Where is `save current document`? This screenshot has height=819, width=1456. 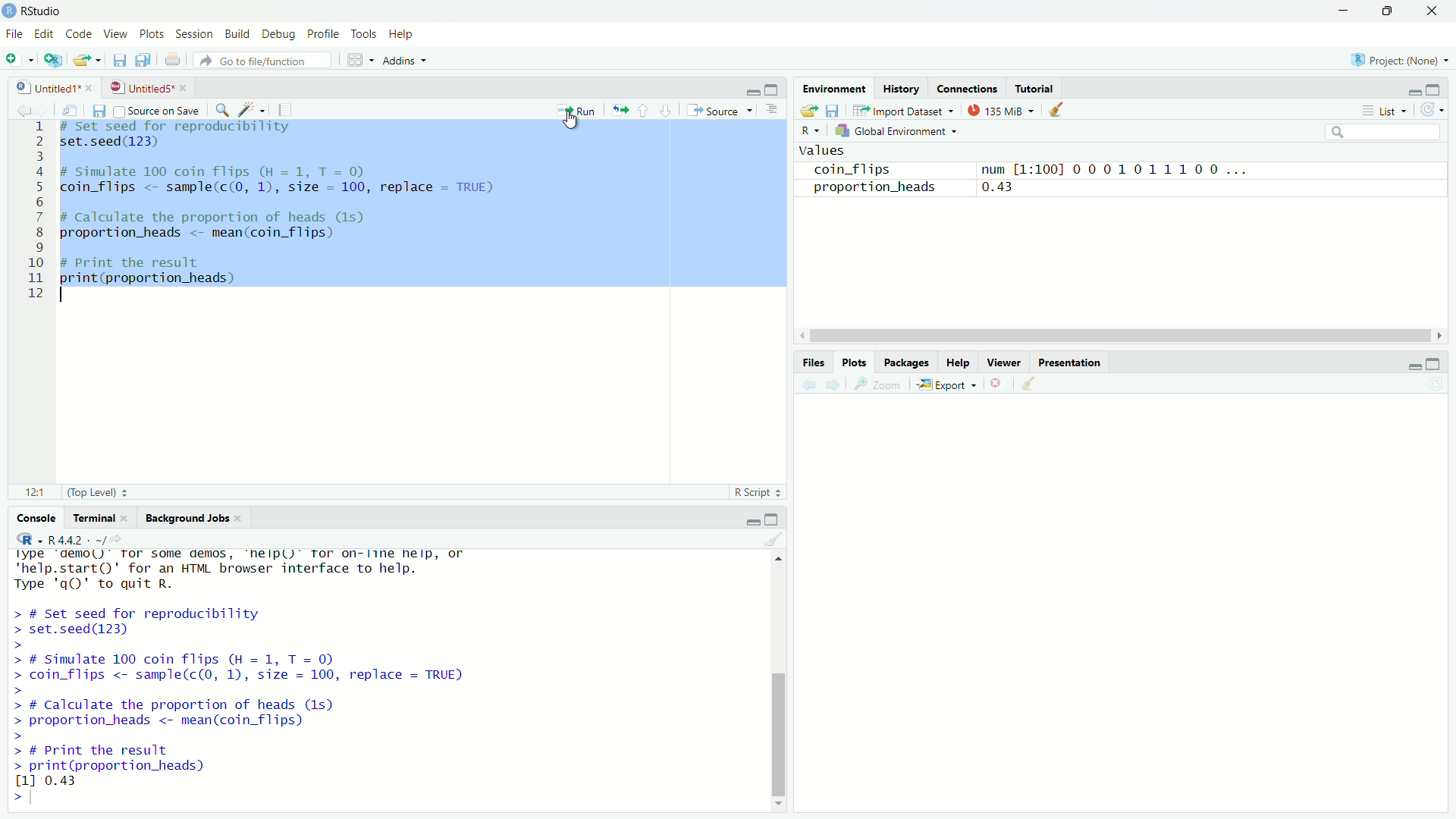
save current document is located at coordinates (98, 110).